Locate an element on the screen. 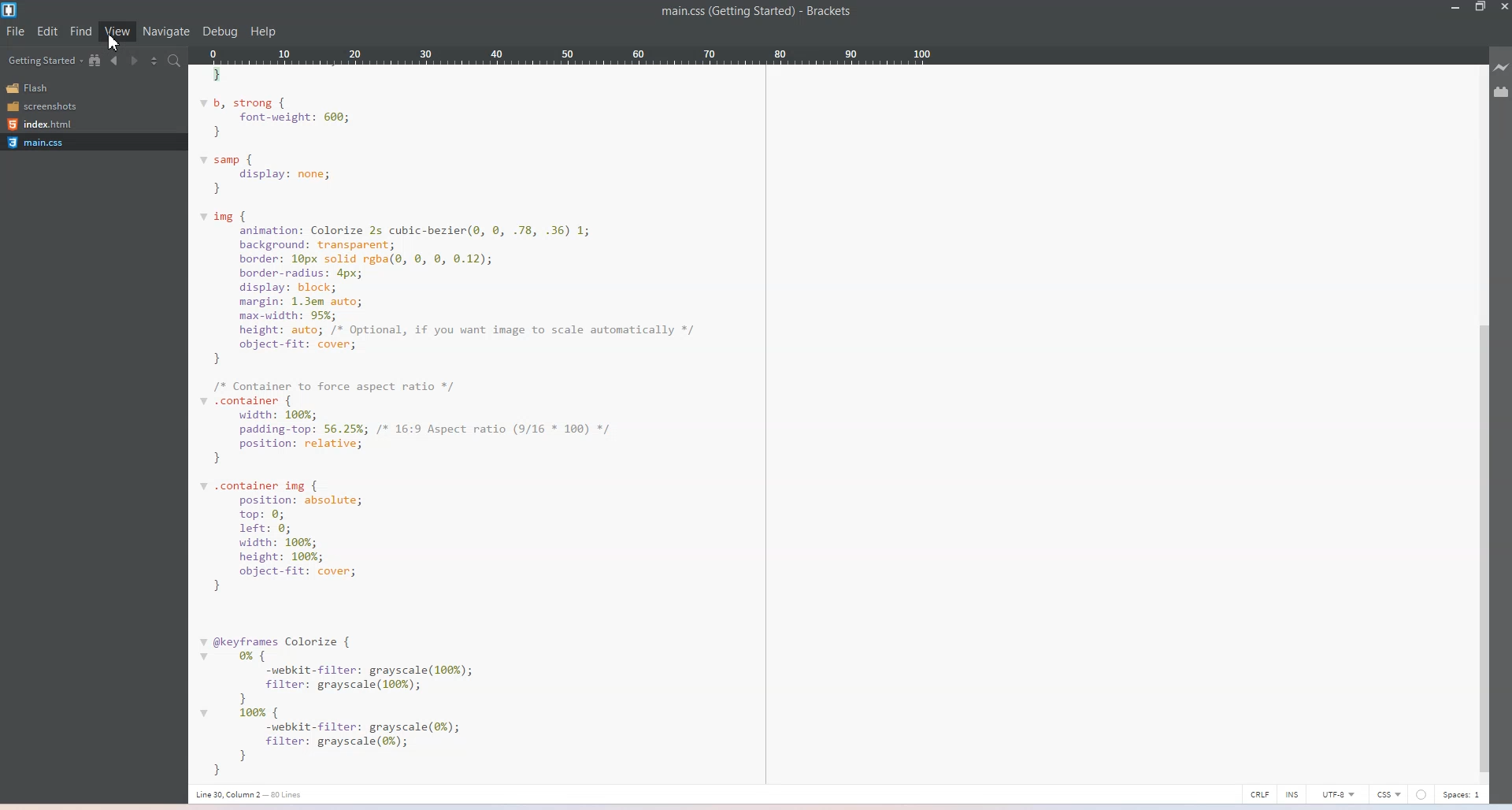  Navigate Backwards is located at coordinates (115, 60).